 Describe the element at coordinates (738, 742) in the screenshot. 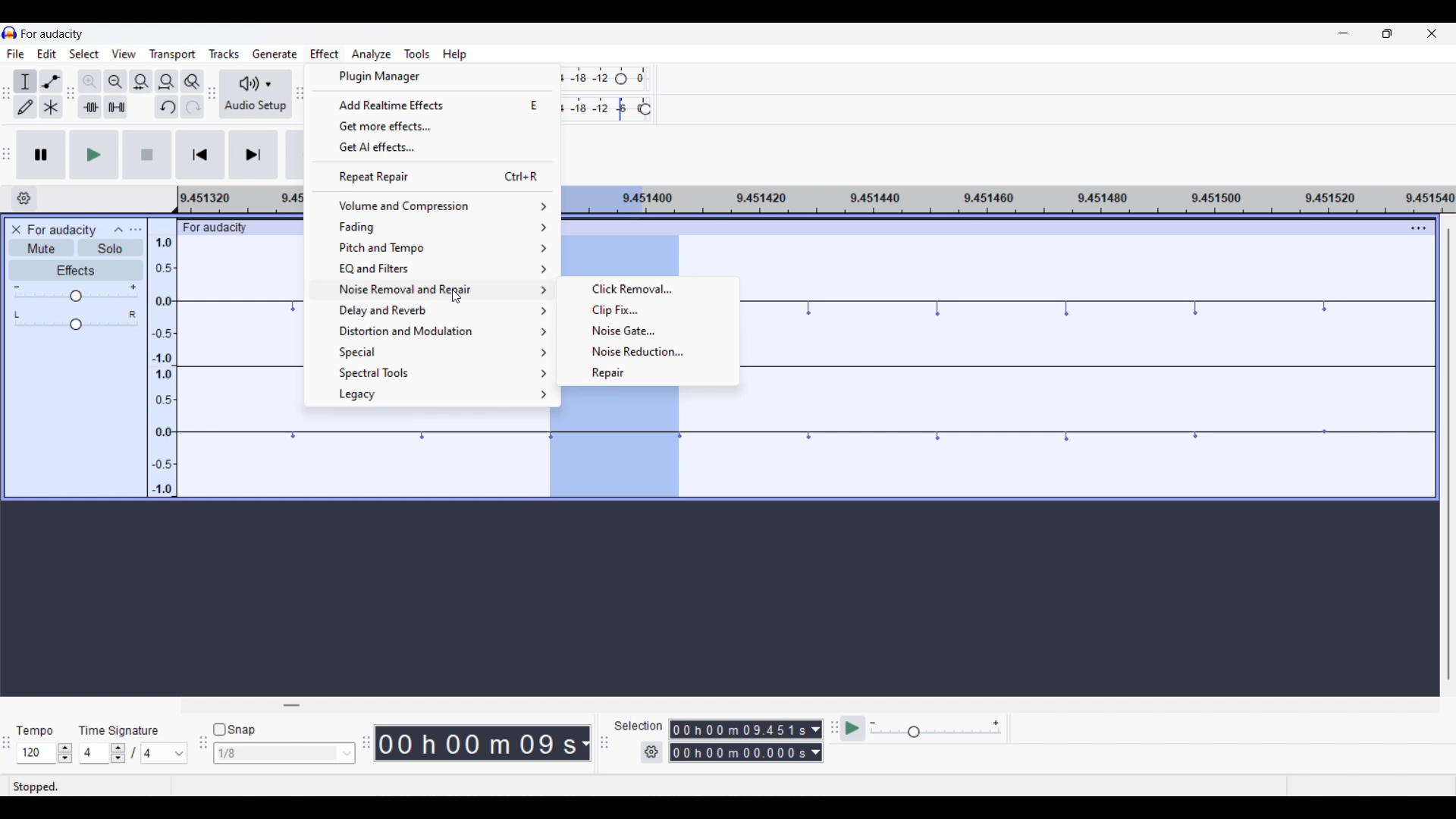

I see `Selection duration` at that location.